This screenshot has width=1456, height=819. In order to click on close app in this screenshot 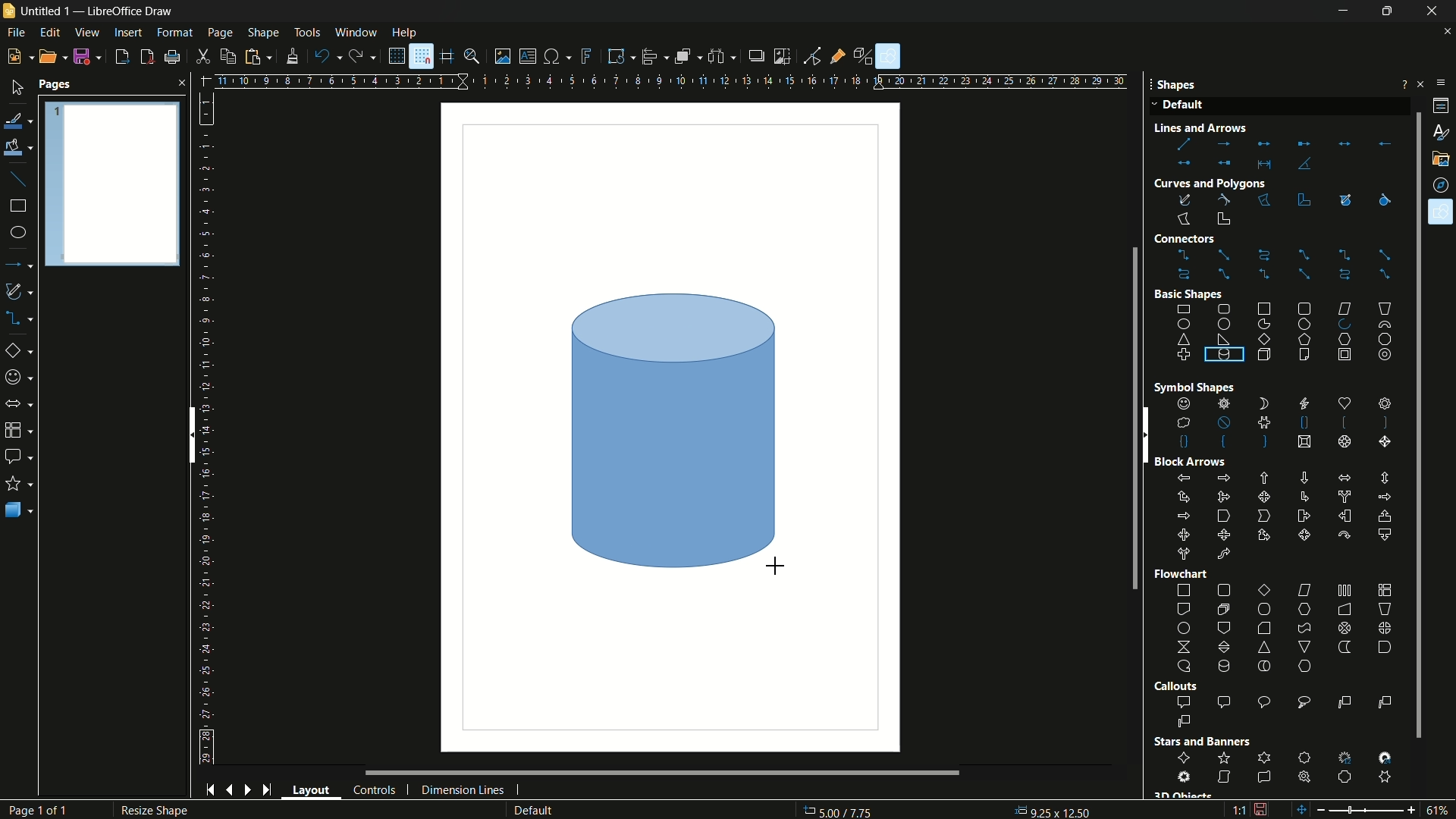, I will do `click(1436, 11)`.